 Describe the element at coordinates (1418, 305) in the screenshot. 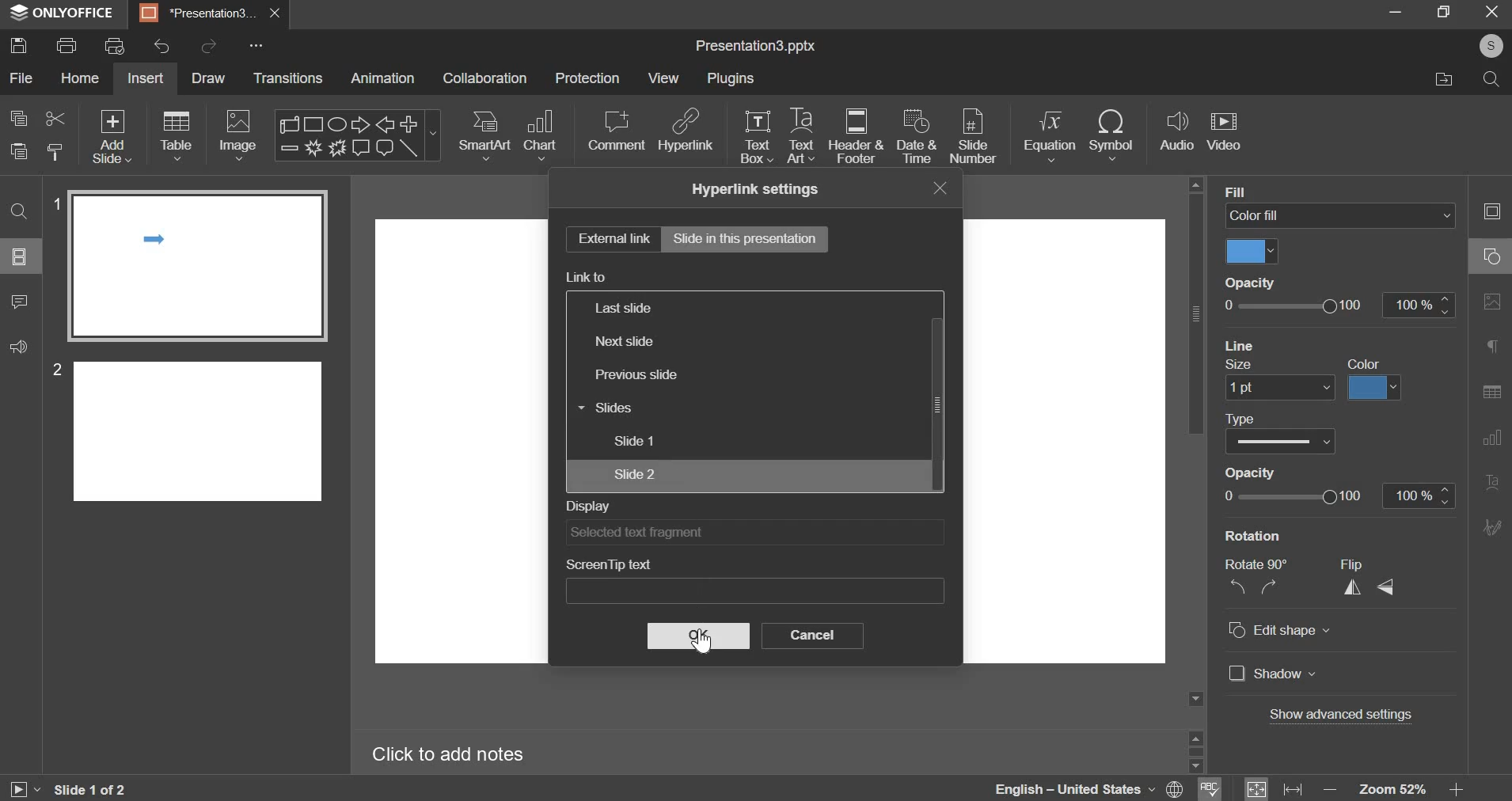

I see `increase/decrease opacity` at that location.